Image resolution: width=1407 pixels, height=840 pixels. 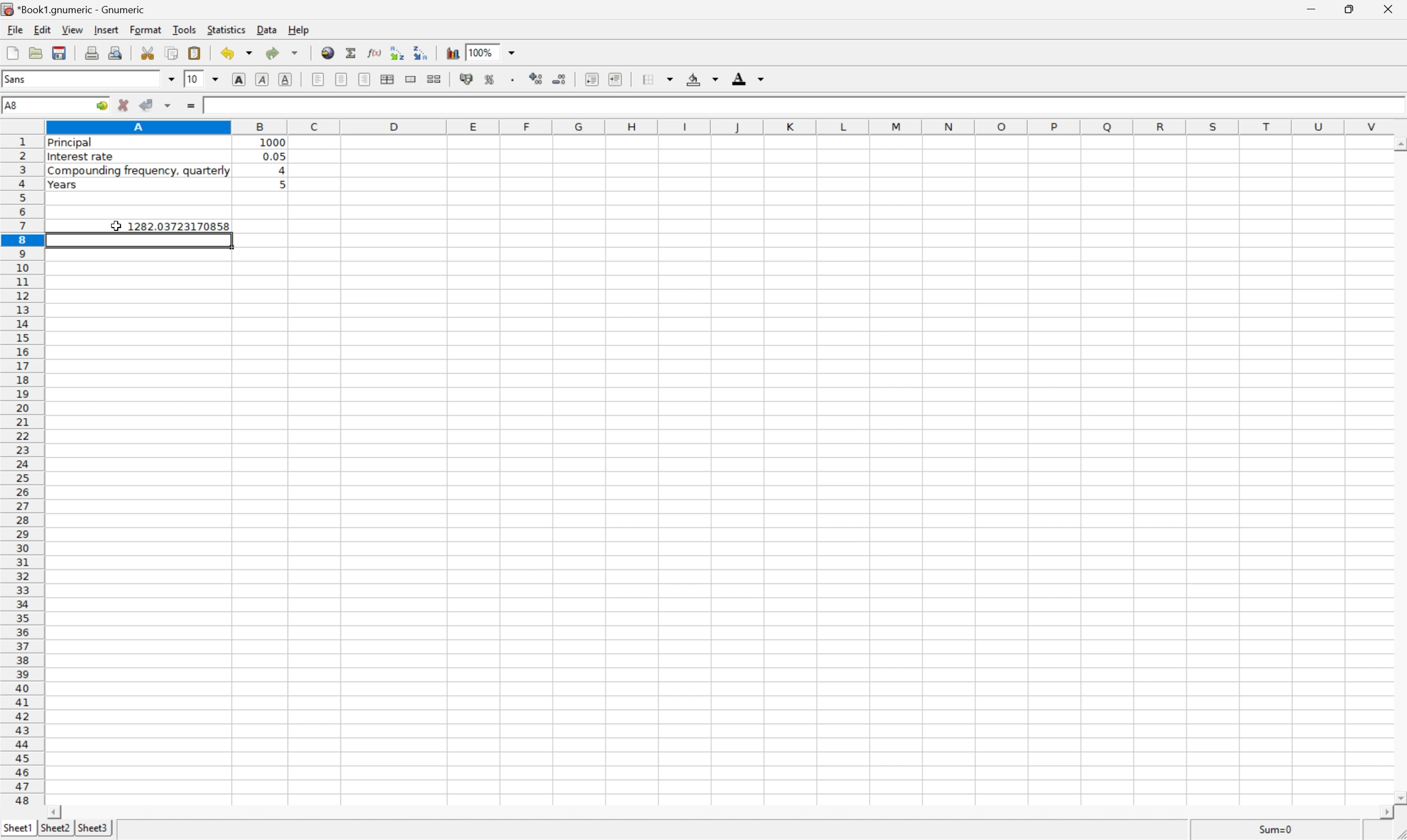 What do you see at coordinates (236, 53) in the screenshot?
I see `undo` at bounding box center [236, 53].